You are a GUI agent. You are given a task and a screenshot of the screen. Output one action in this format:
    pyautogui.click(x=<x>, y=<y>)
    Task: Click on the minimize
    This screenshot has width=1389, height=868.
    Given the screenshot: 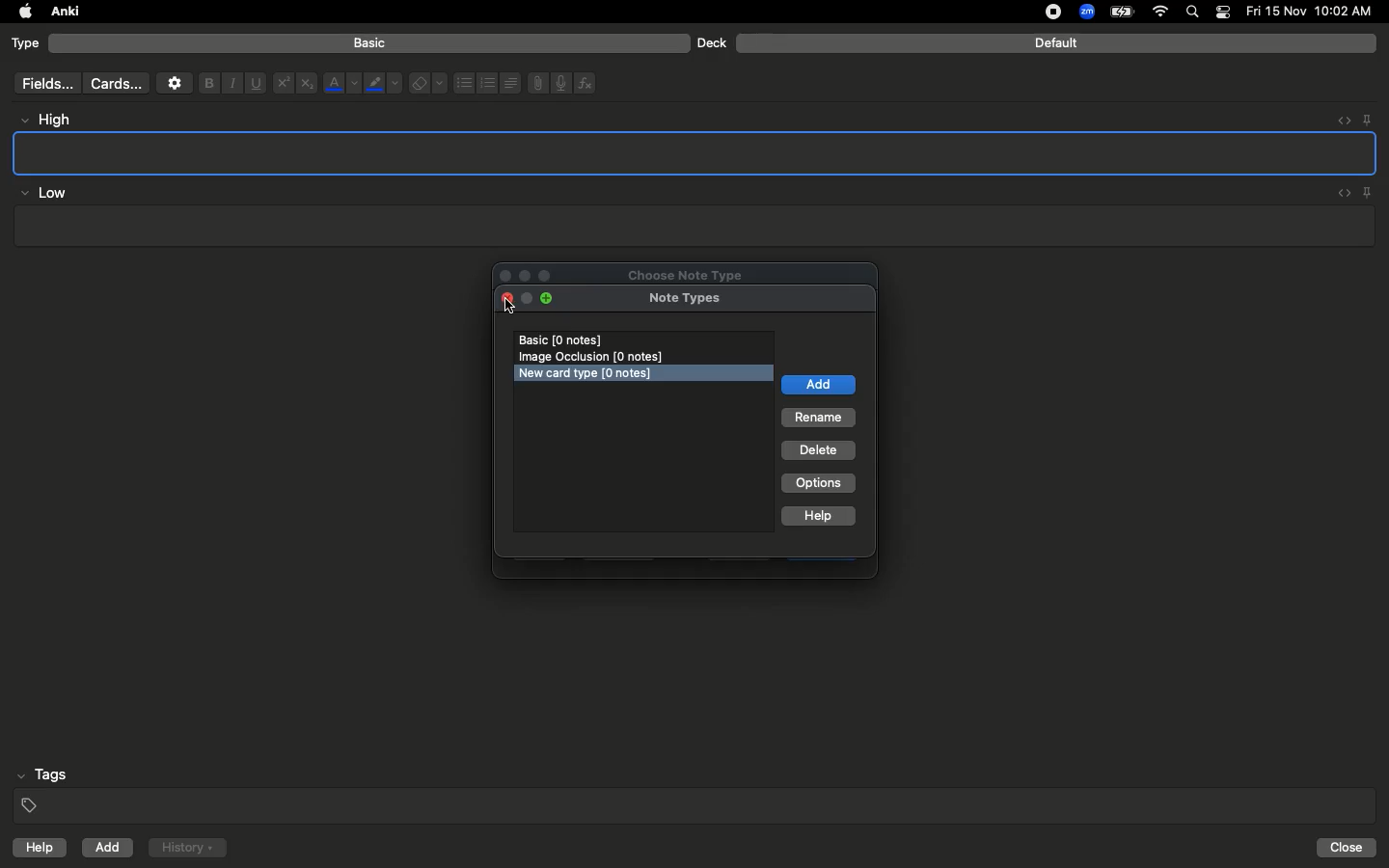 What is the action you would take?
    pyautogui.click(x=527, y=300)
    